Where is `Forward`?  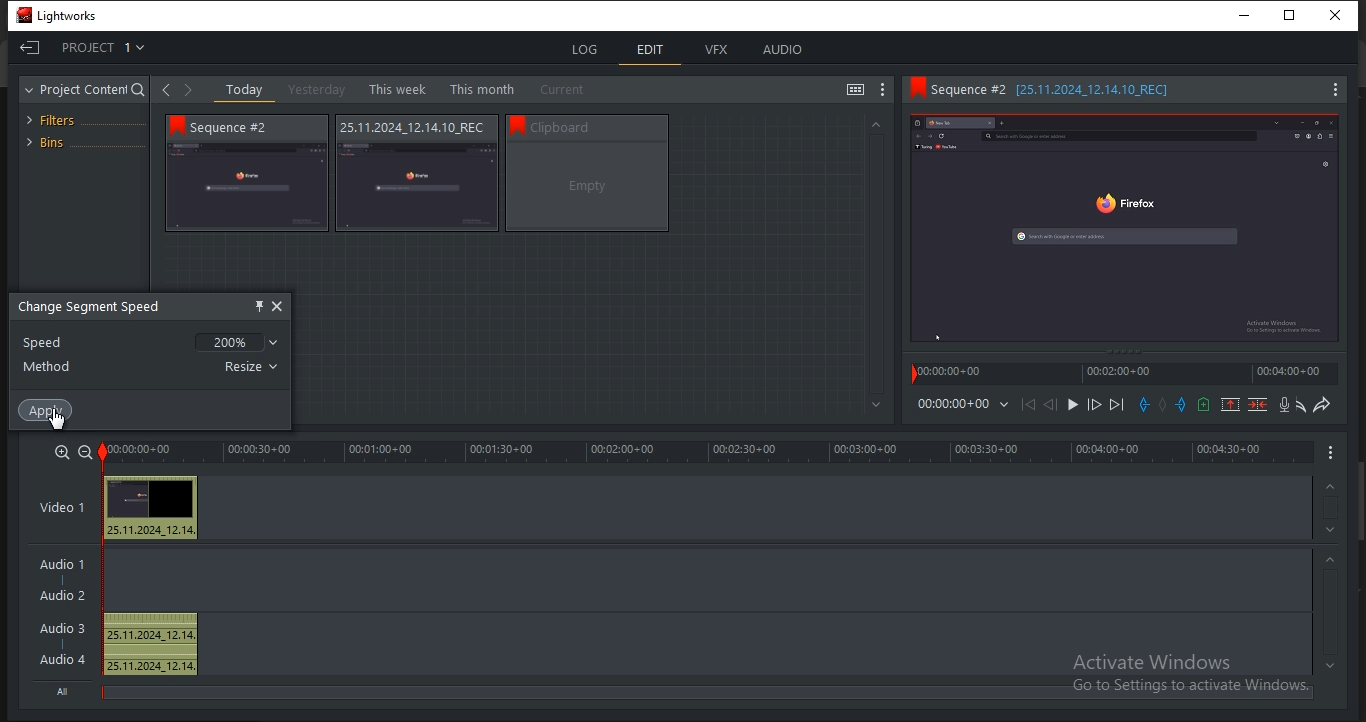
Forward is located at coordinates (186, 93).